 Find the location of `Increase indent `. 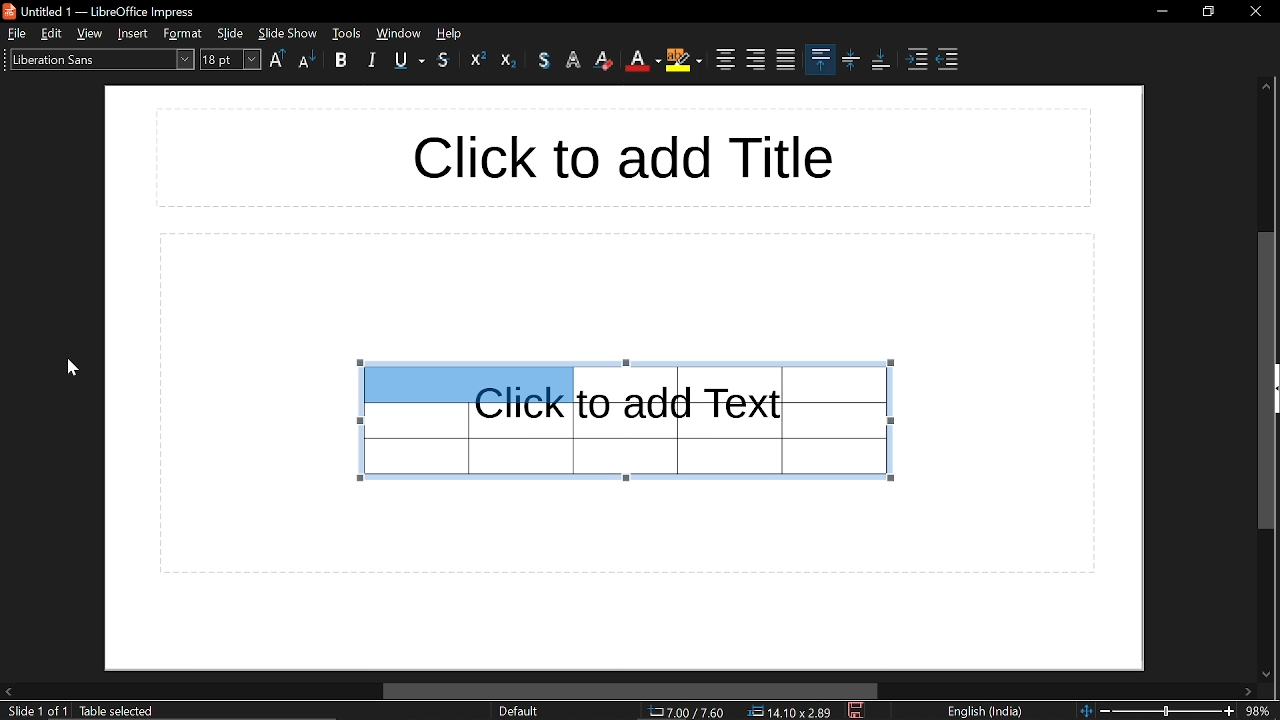

Increase indent  is located at coordinates (919, 61).